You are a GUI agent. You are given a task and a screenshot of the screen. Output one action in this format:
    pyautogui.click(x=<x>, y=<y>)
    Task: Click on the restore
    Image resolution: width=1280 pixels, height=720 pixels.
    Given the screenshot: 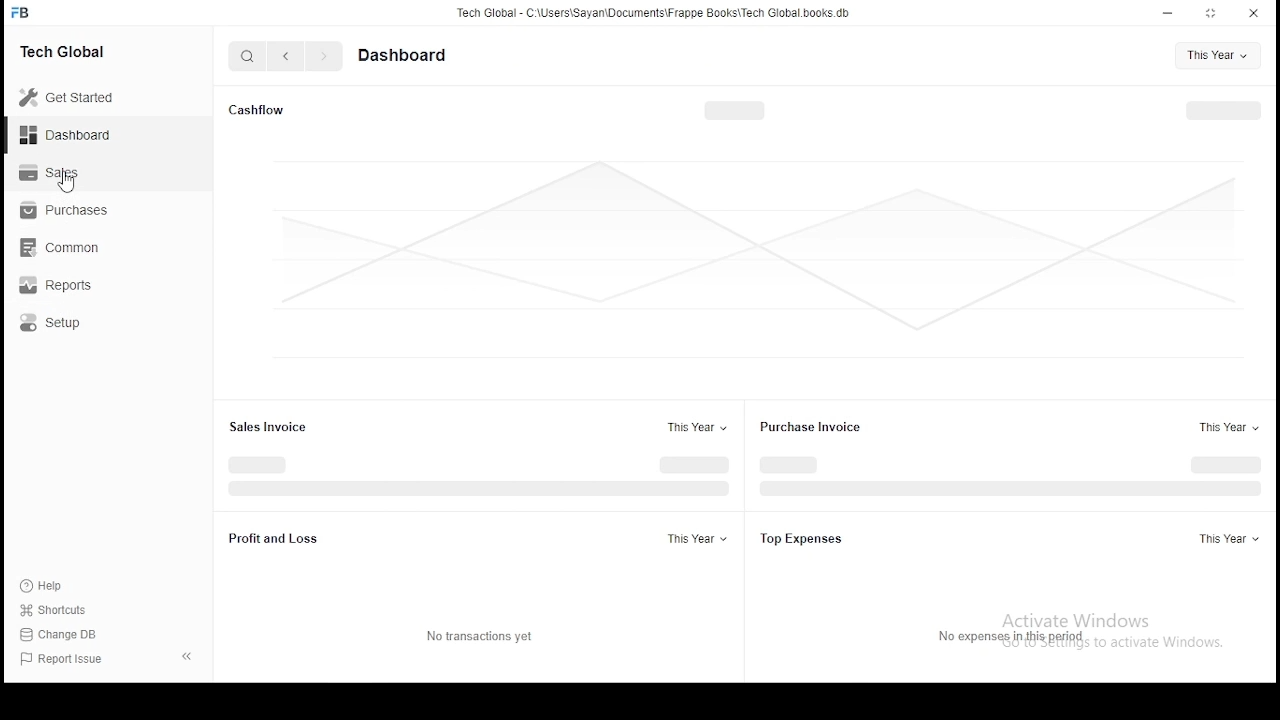 What is the action you would take?
    pyautogui.click(x=1211, y=12)
    